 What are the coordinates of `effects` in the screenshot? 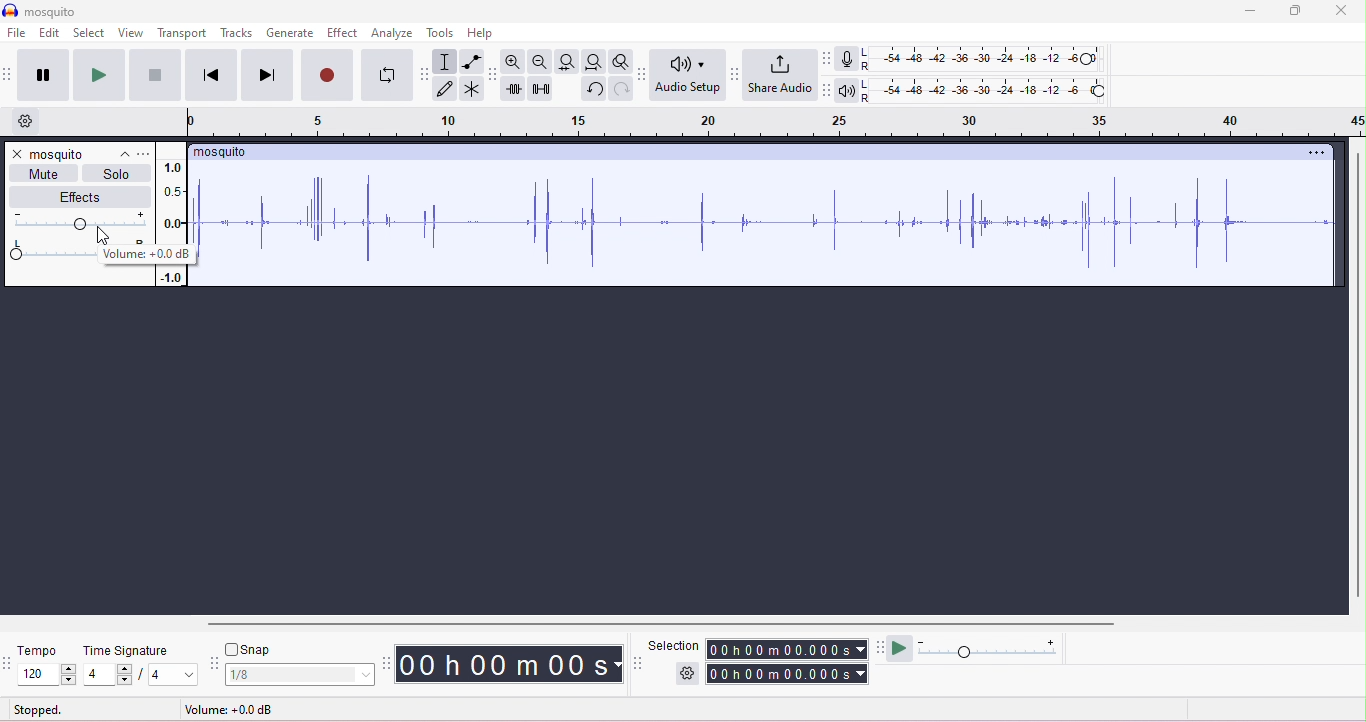 It's located at (85, 197).